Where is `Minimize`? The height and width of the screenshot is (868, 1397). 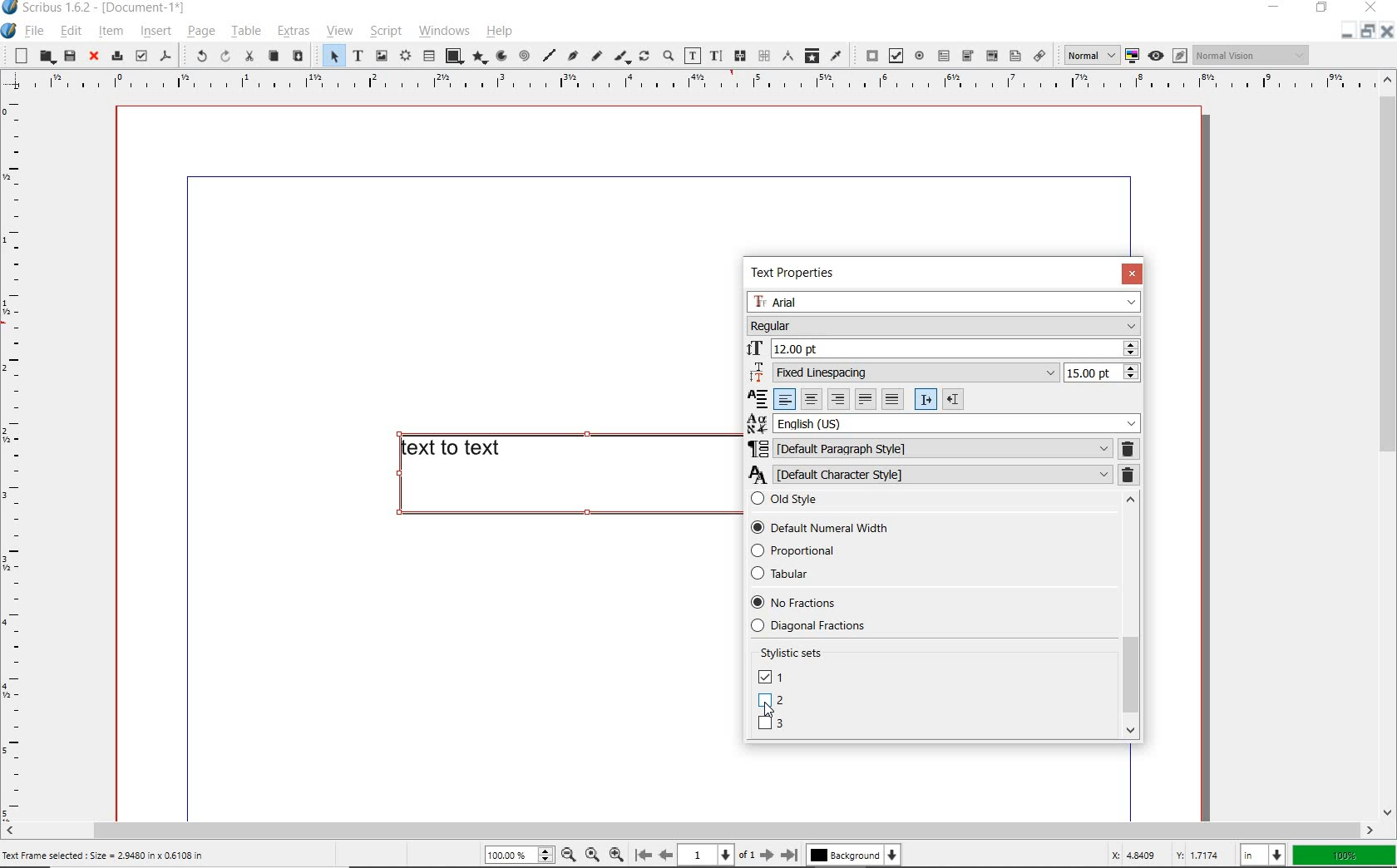
Minimize is located at coordinates (1366, 32).